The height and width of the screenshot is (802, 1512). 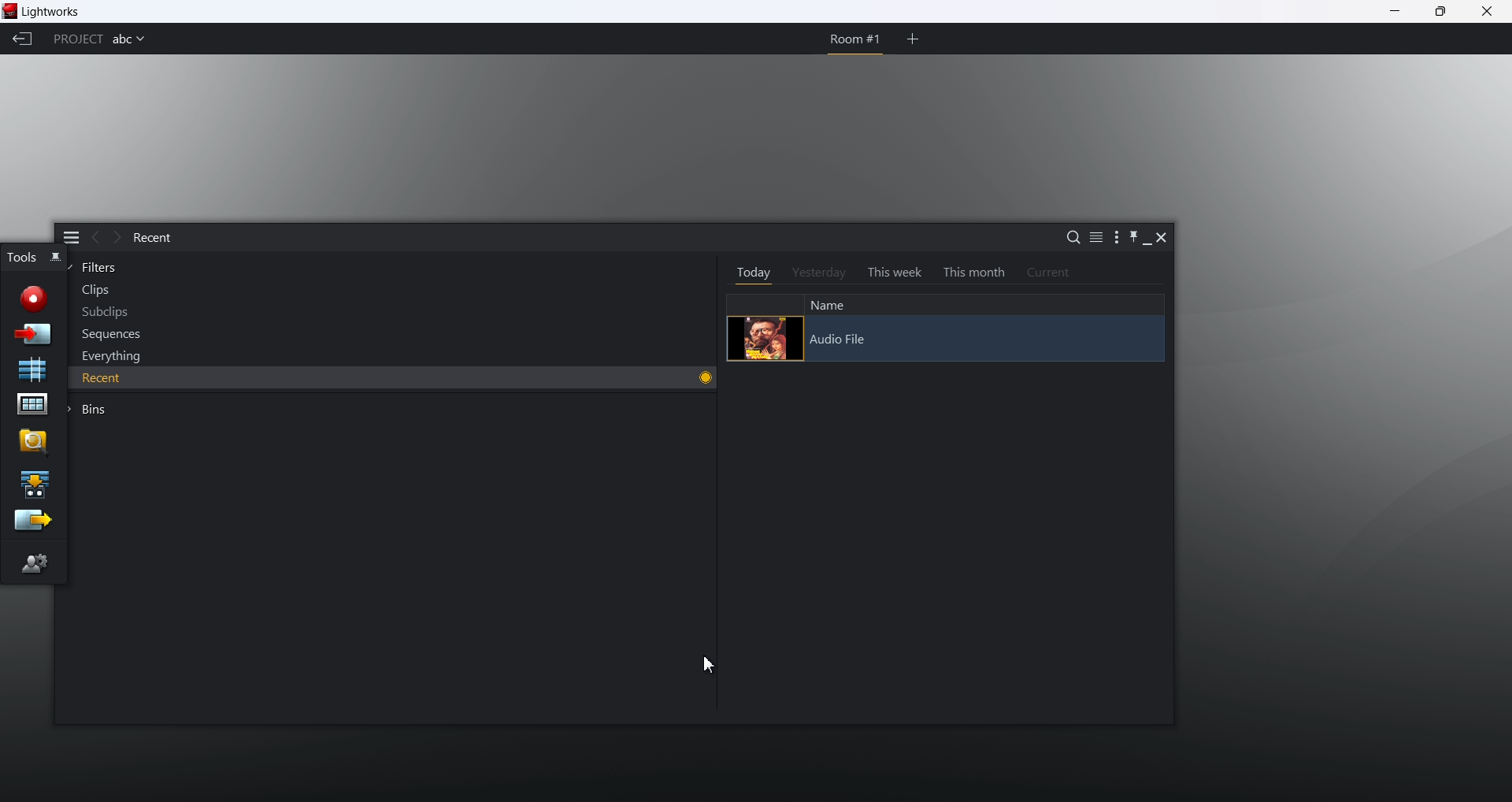 I want to click on pin/unpin, so click(x=57, y=260).